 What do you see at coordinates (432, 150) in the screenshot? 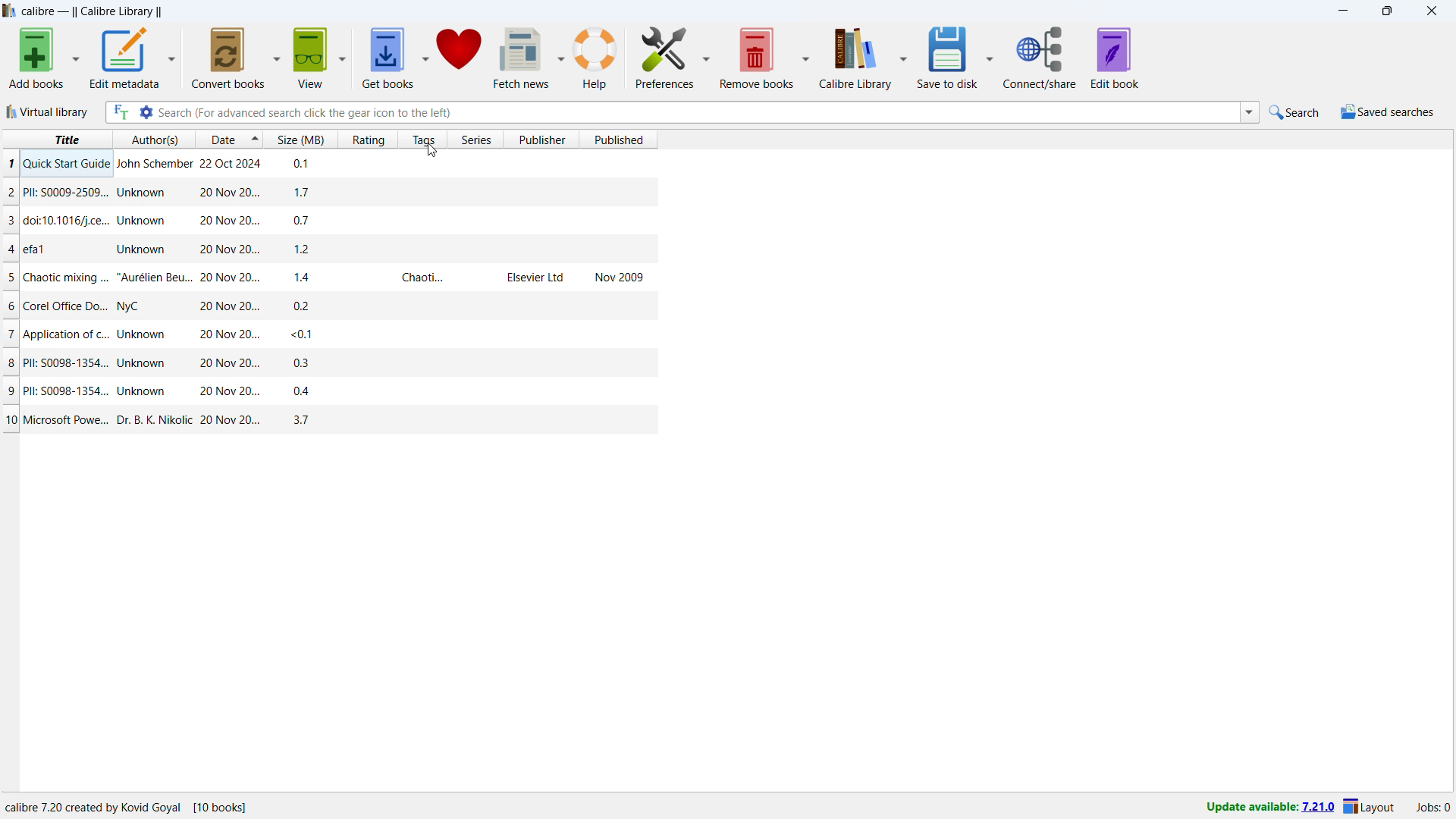
I see `cursor` at bounding box center [432, 150].